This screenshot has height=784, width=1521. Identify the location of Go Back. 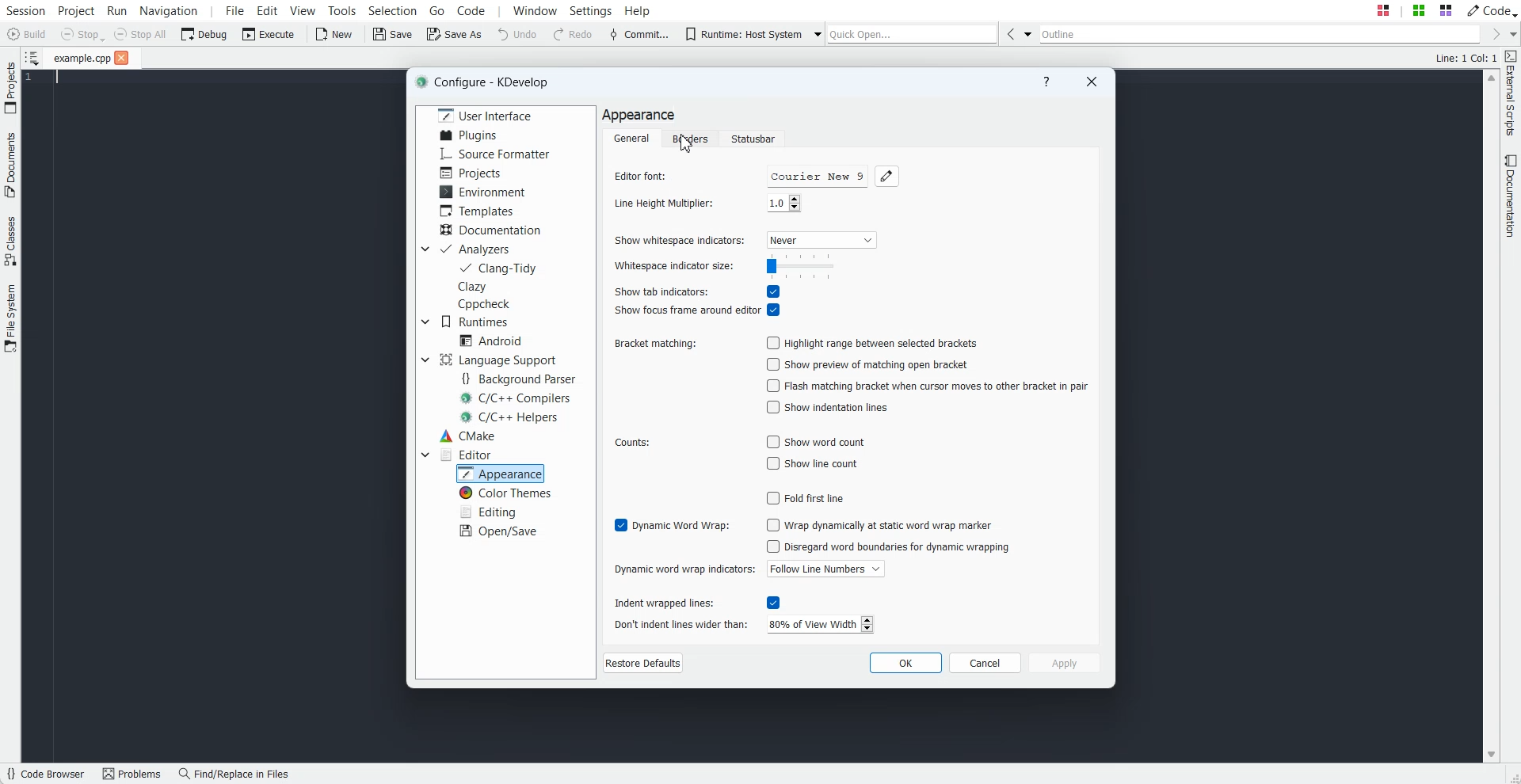
(1009, 33).